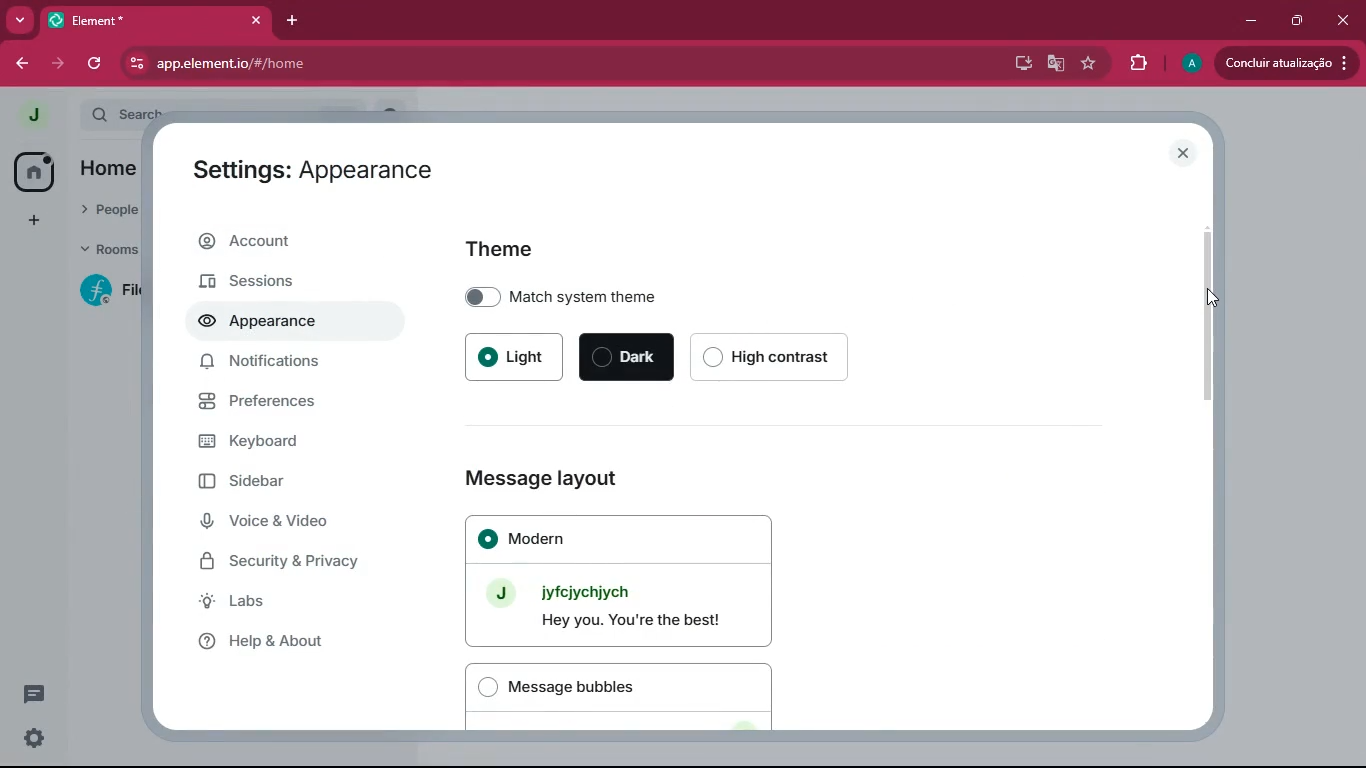 The height and width of the screenshot is (768, 1366). Describe the element at coordinates (271, 365) in the screenshot. I see `notifications` at that location.